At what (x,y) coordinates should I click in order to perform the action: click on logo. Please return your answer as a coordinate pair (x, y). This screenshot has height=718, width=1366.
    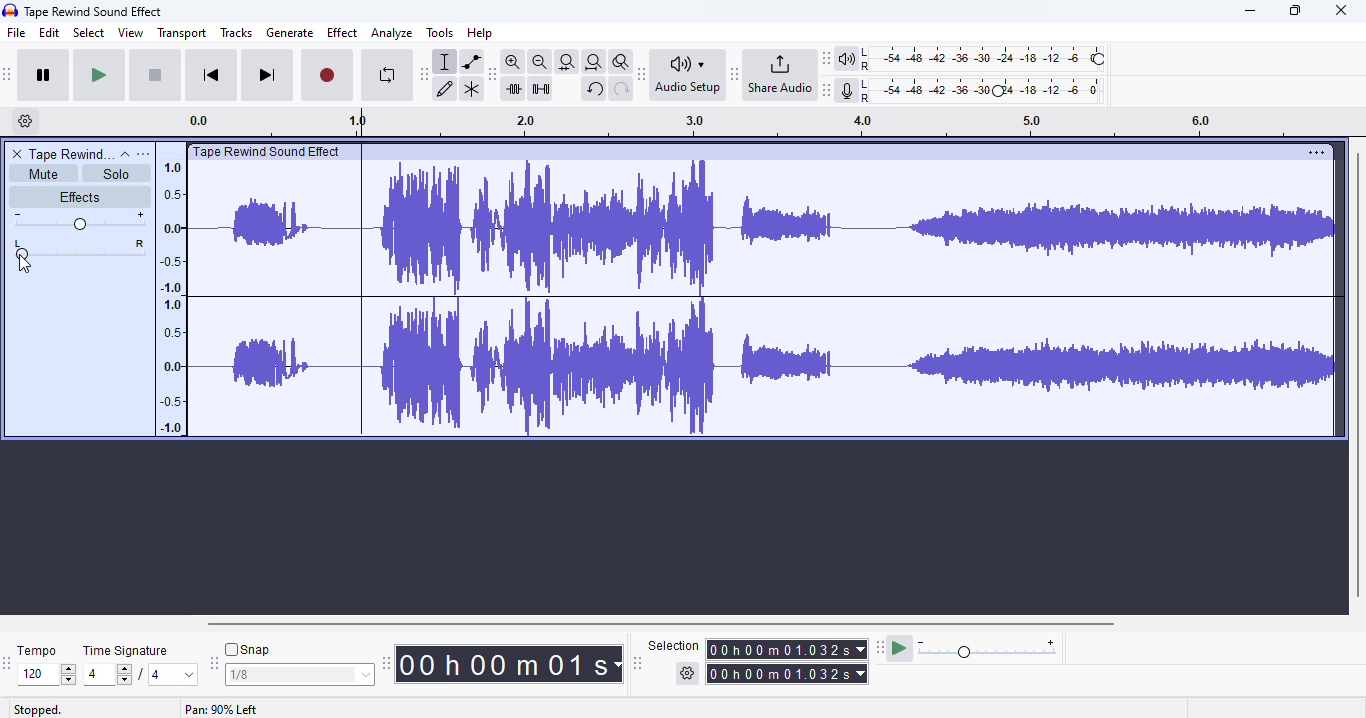
    Looking at the image, I should click on (10, 10).